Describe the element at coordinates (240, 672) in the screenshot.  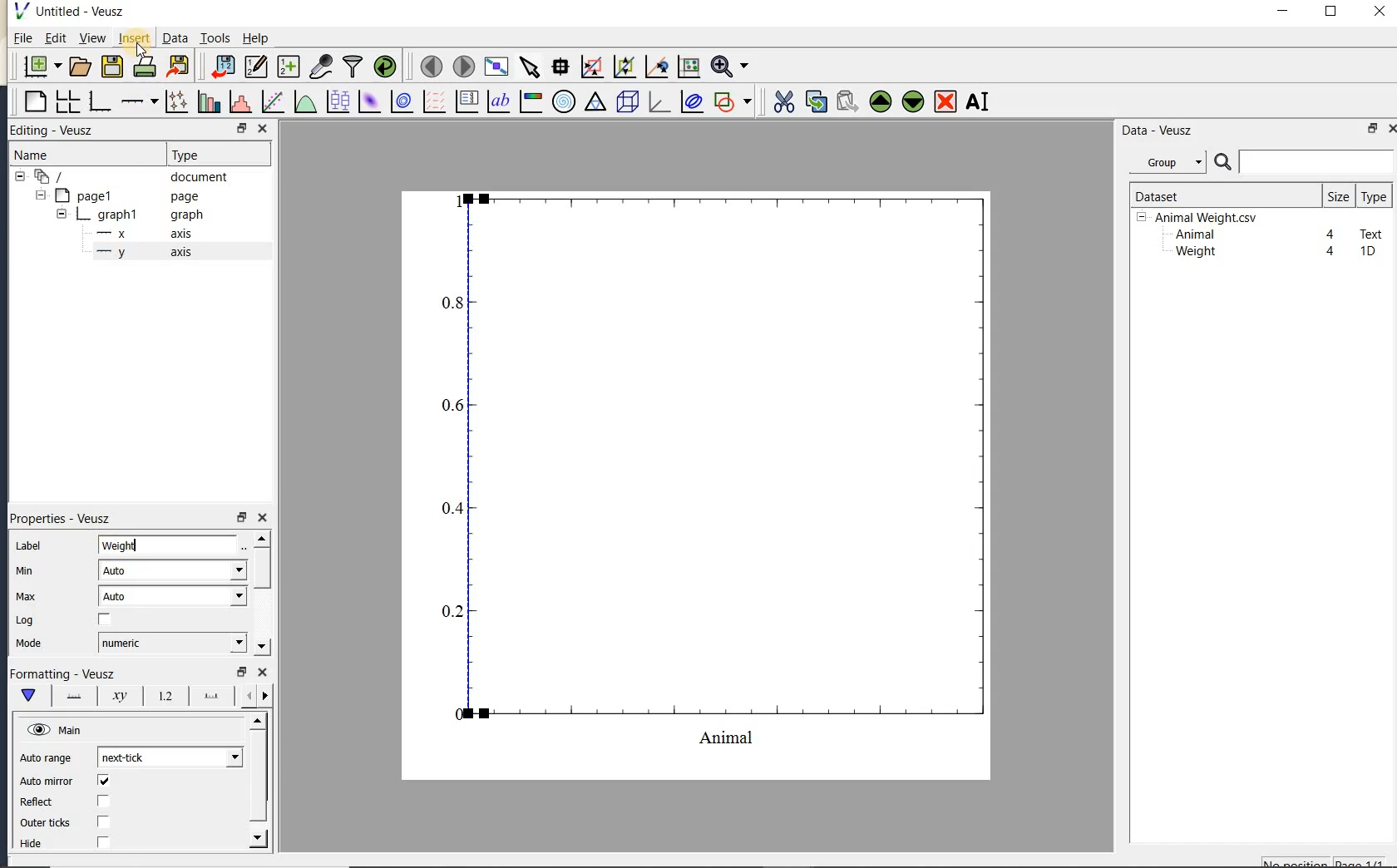
I see `restore` at that location.